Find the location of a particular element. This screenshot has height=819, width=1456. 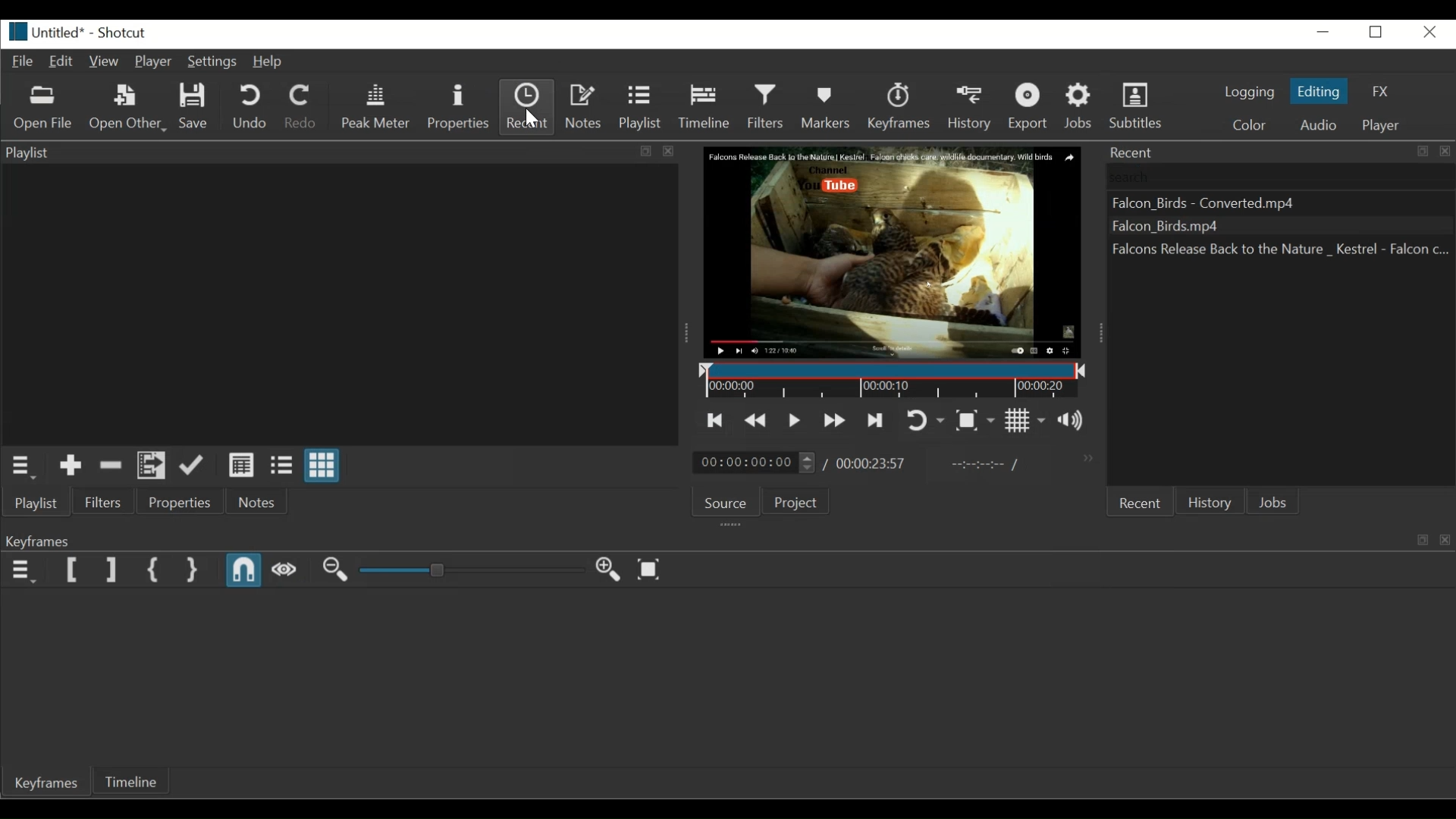

History is located at coordinates (972, 106).